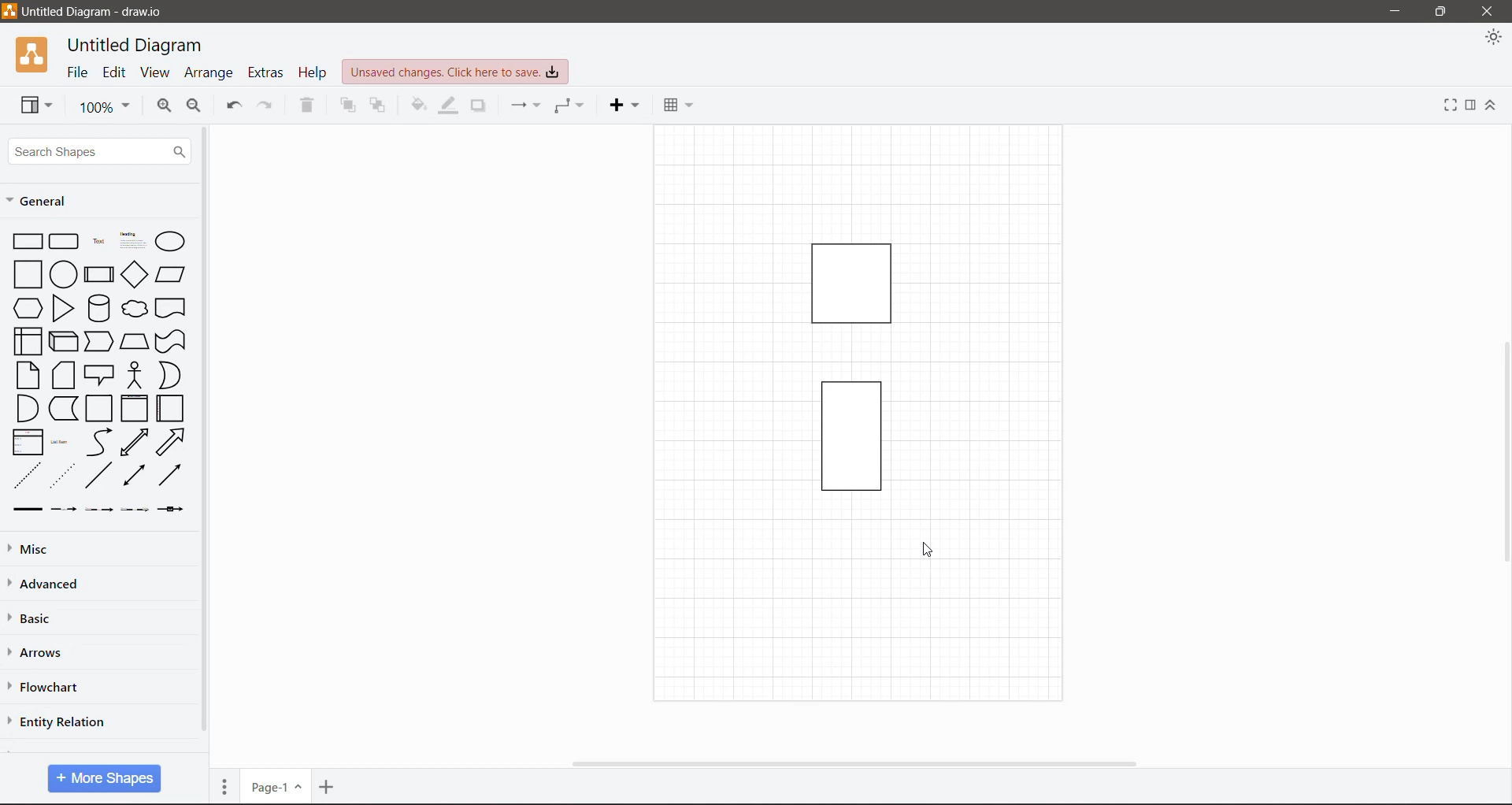 This screenshot has height=805, width=1512. I want to click on Line Color, so click(447, 107).